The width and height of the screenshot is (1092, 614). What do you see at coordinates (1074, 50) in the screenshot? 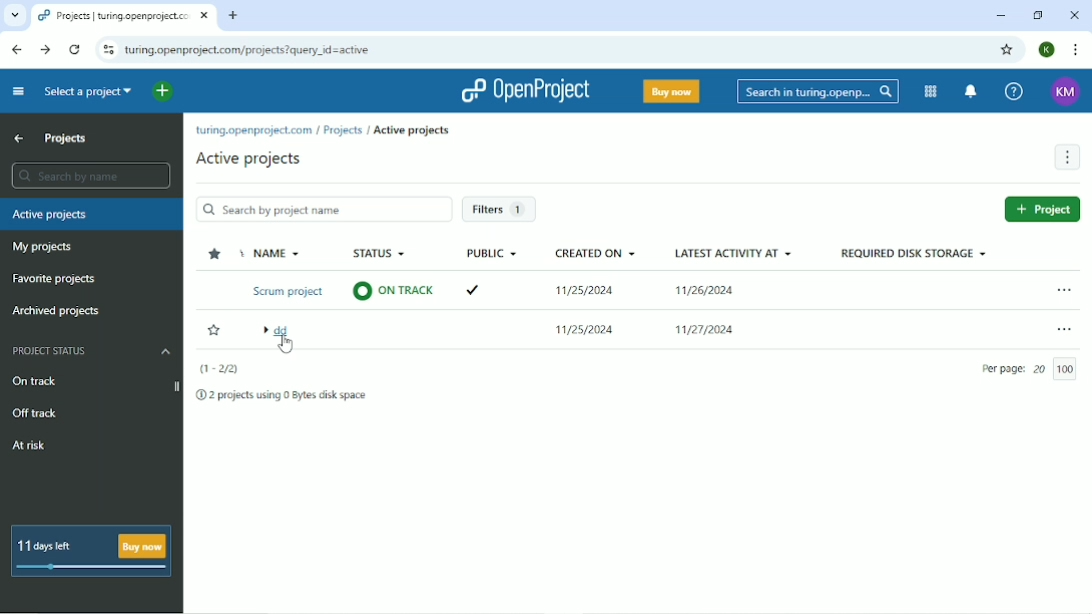
I see `Customize and control google chrome` at bounding box center [1074, 50].